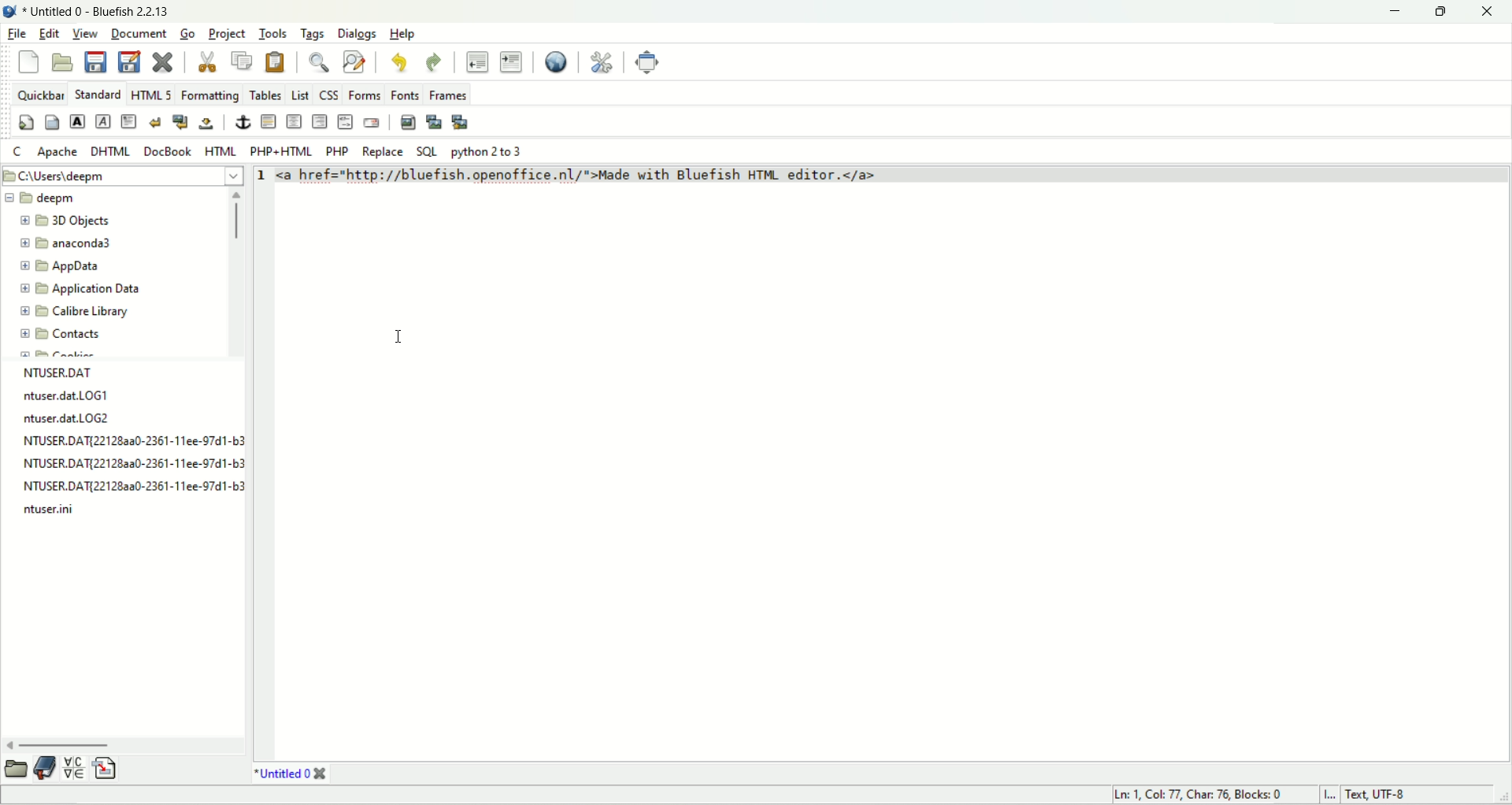  What do you see at coordinates (76, 121) in the screenshot?
I see `strong` at bounding box center [76, 121].